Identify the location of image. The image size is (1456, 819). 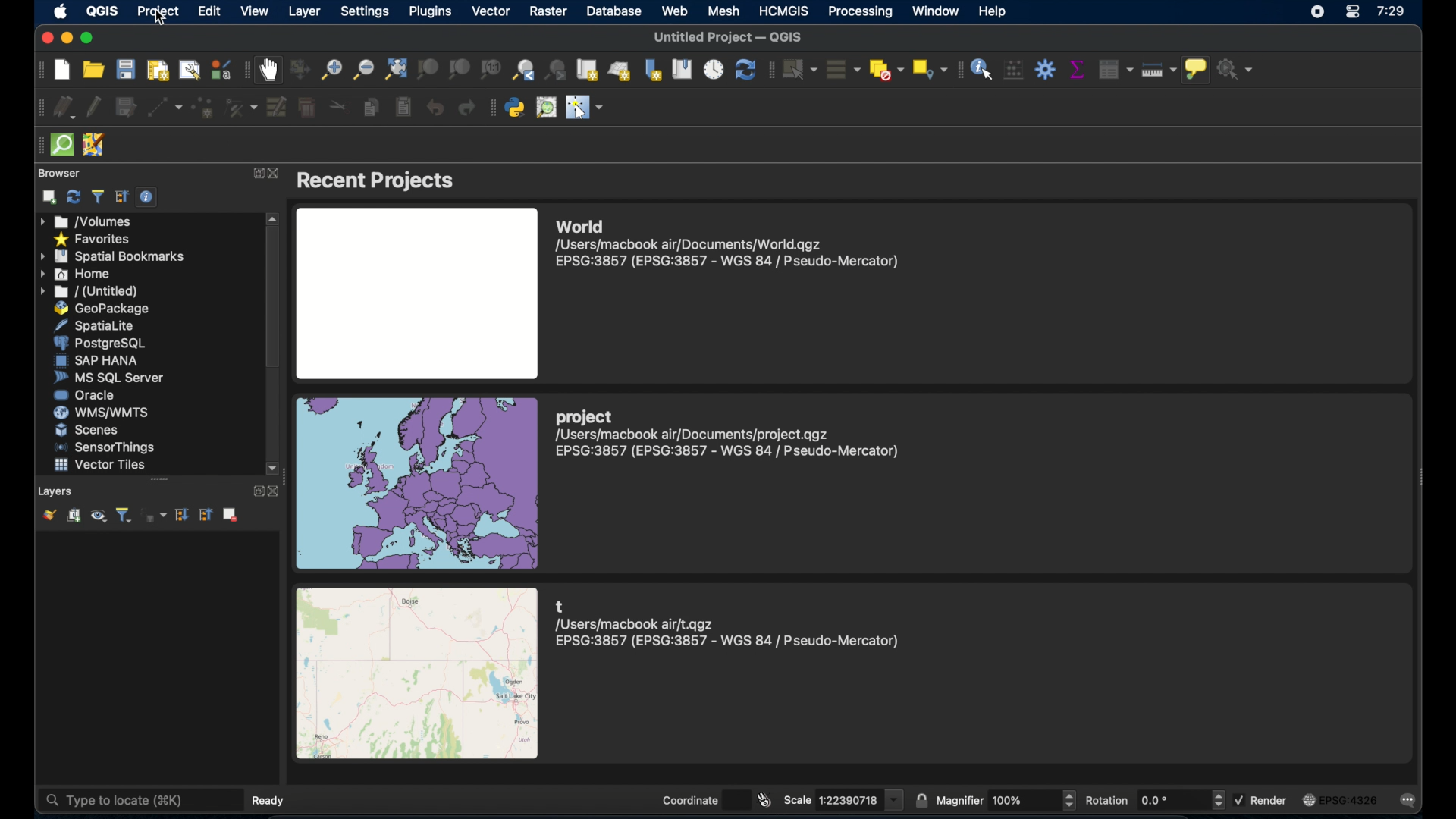
(417, 673).